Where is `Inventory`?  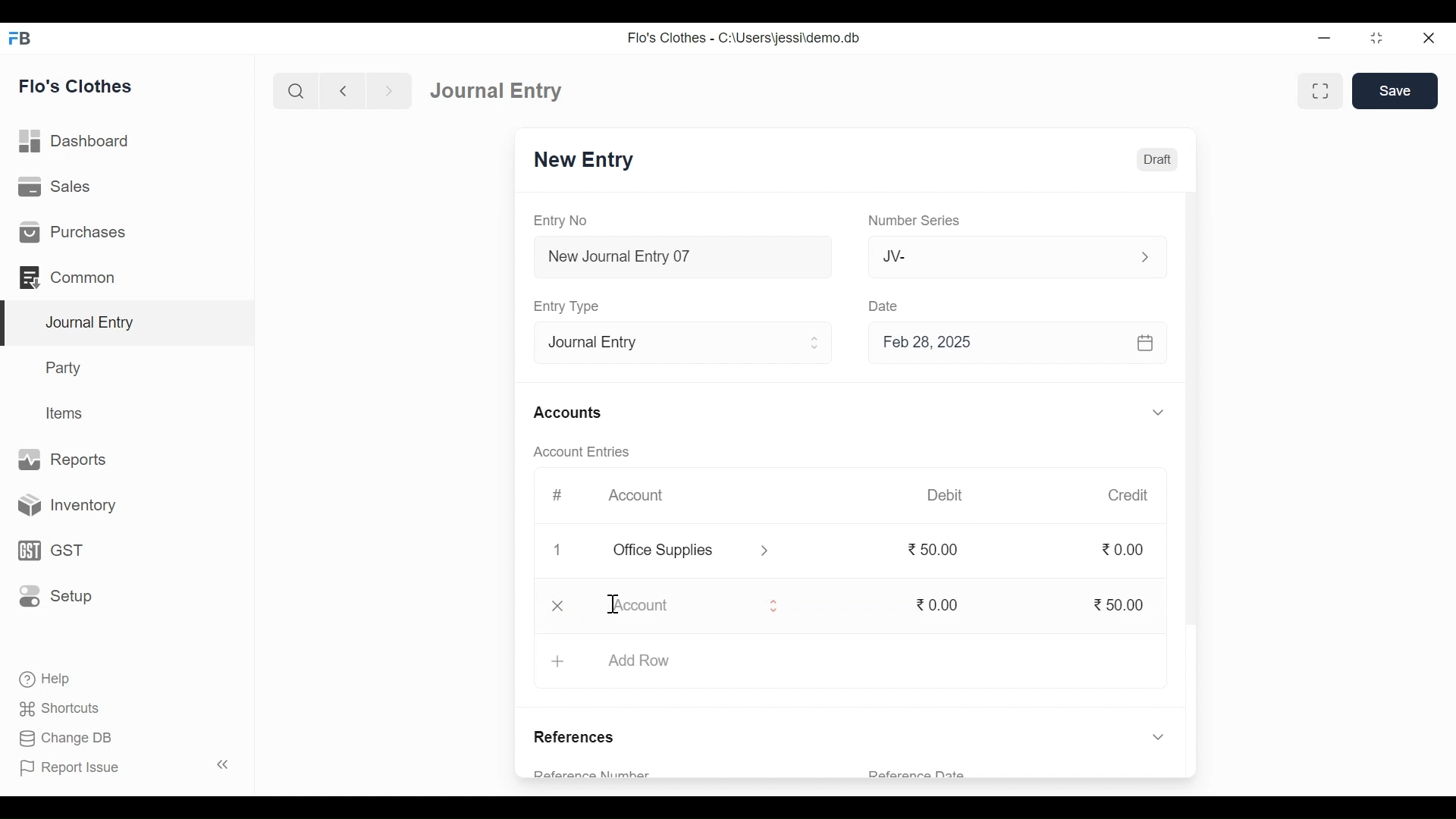
Inventory is located at coordinates (61, 507).